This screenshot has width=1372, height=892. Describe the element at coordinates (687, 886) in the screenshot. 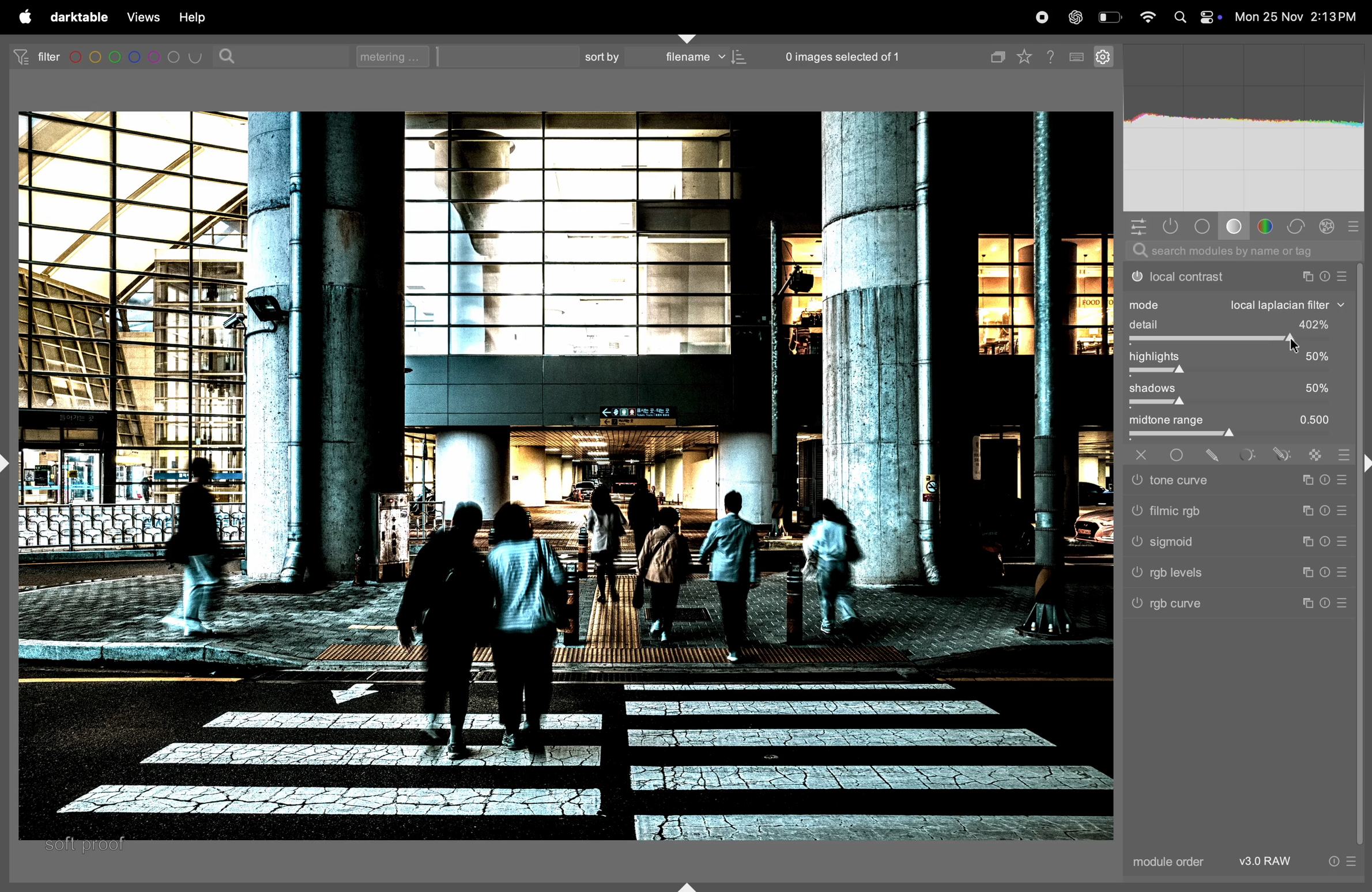

I see `shift+ctrl+b` at that location.